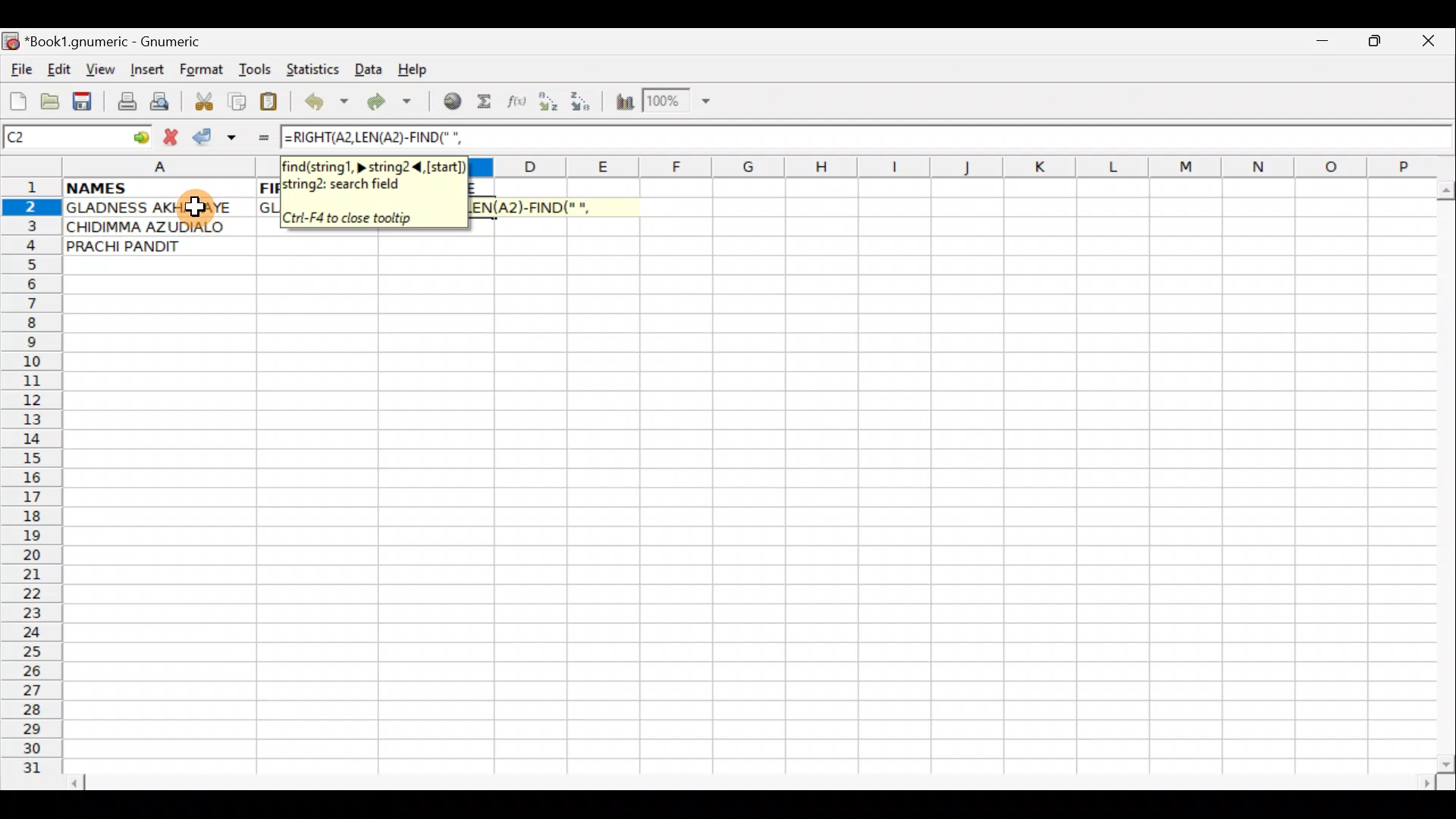  Describe the element at coordinates (150, 225) in the screenshot. I see `CHIDIMMA AZUDIALO` at that location.